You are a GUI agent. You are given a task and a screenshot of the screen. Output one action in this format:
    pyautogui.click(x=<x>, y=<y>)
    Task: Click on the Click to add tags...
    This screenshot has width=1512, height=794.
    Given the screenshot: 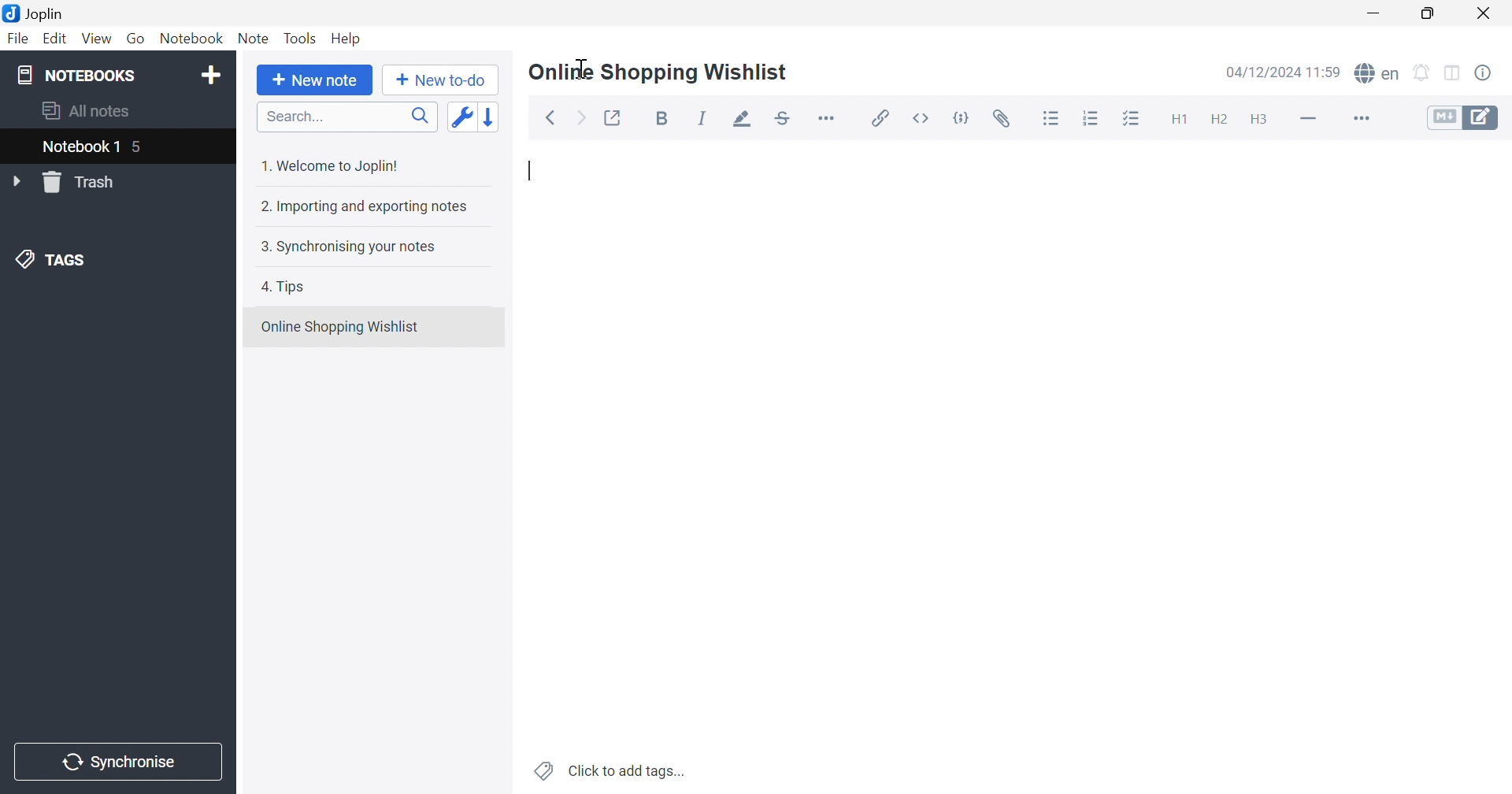 What is the action you would take?
    pyautogui.click(x=609, y=770)
    